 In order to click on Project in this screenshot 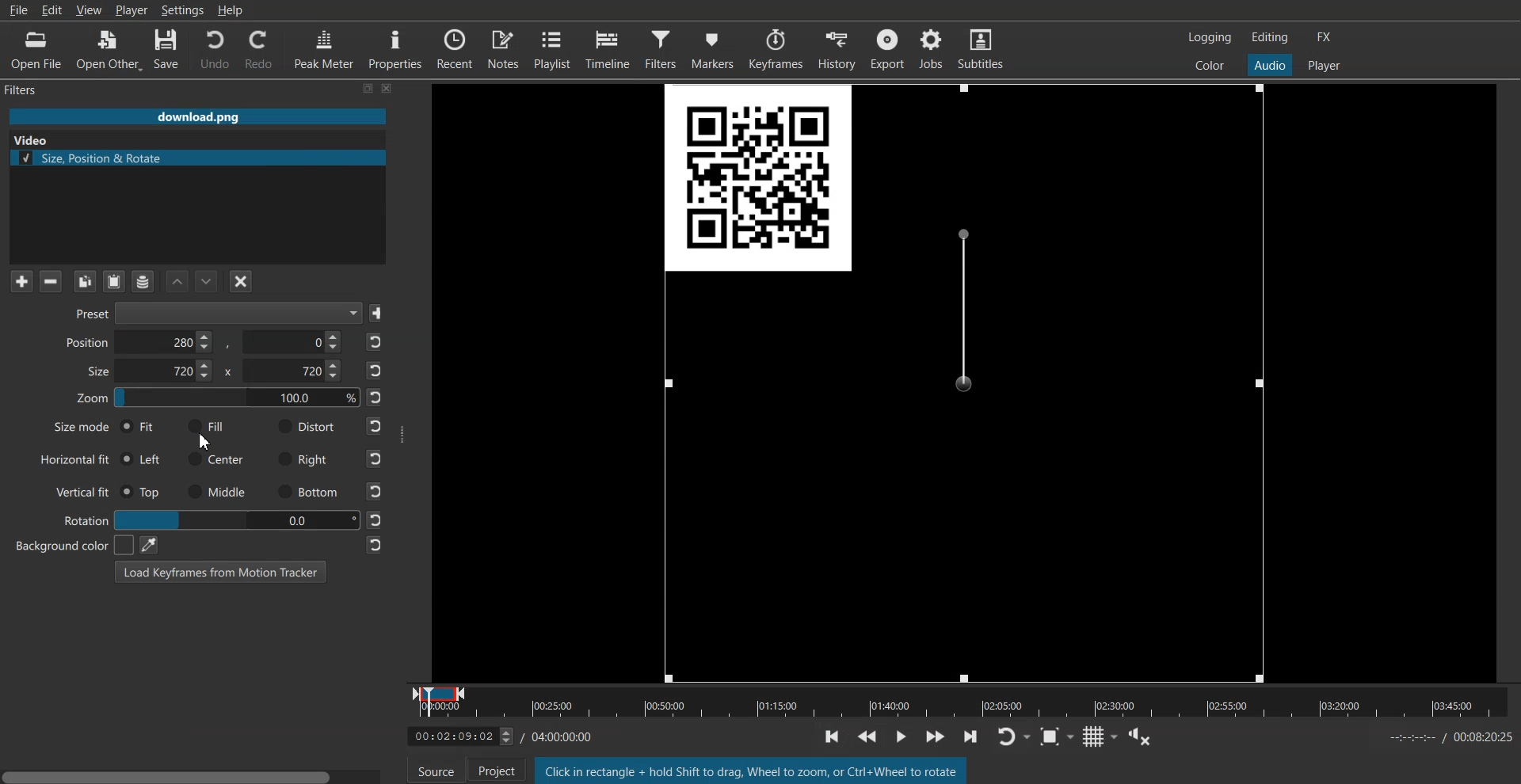, I will do `click(493, 771)`.